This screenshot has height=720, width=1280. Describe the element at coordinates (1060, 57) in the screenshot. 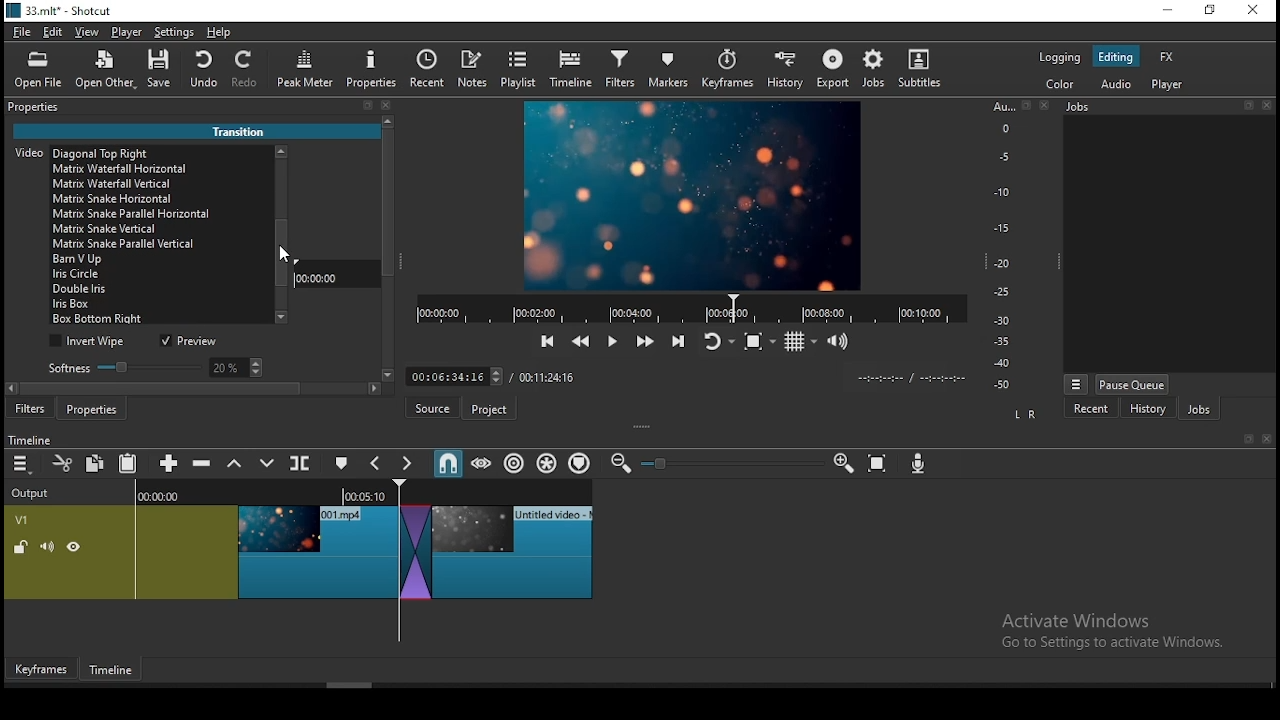

I see `color` at that location.